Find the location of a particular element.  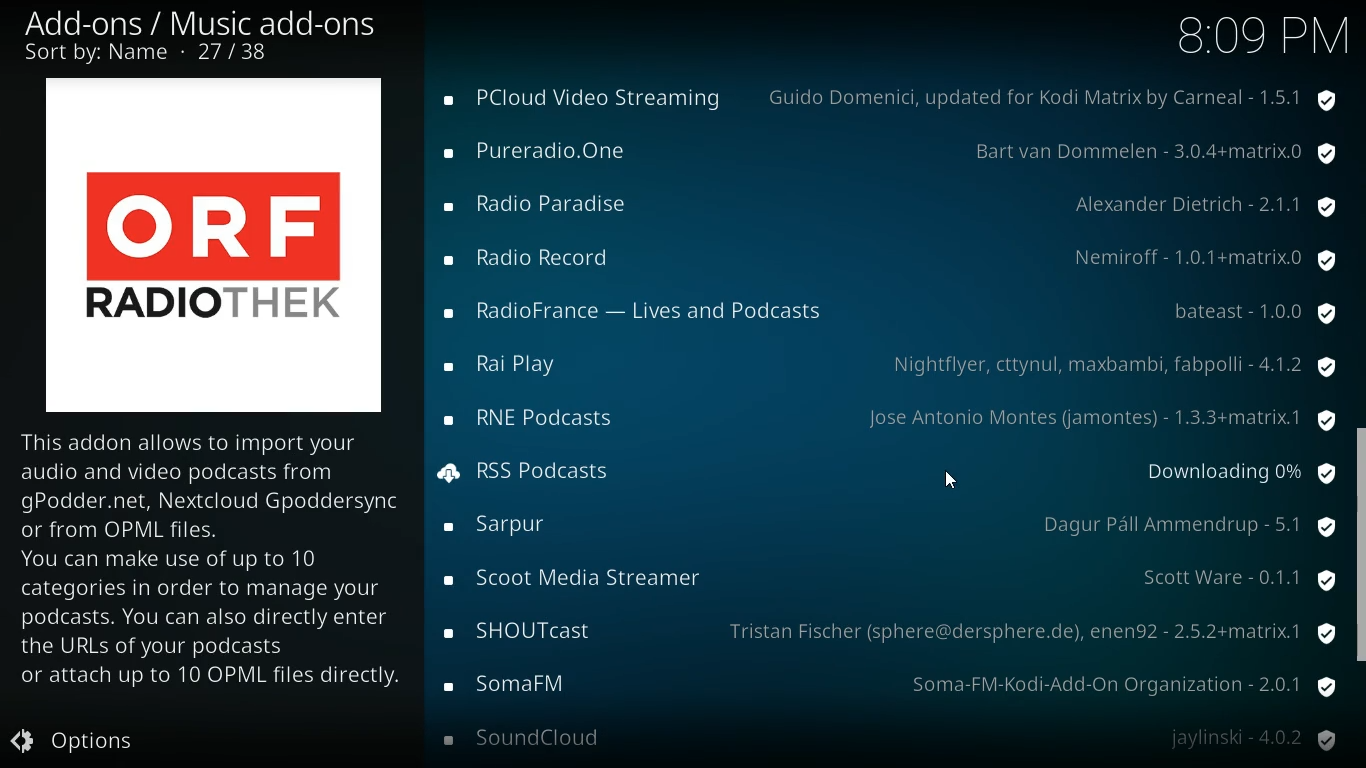

Cursor is located at coordinates (954, 483).